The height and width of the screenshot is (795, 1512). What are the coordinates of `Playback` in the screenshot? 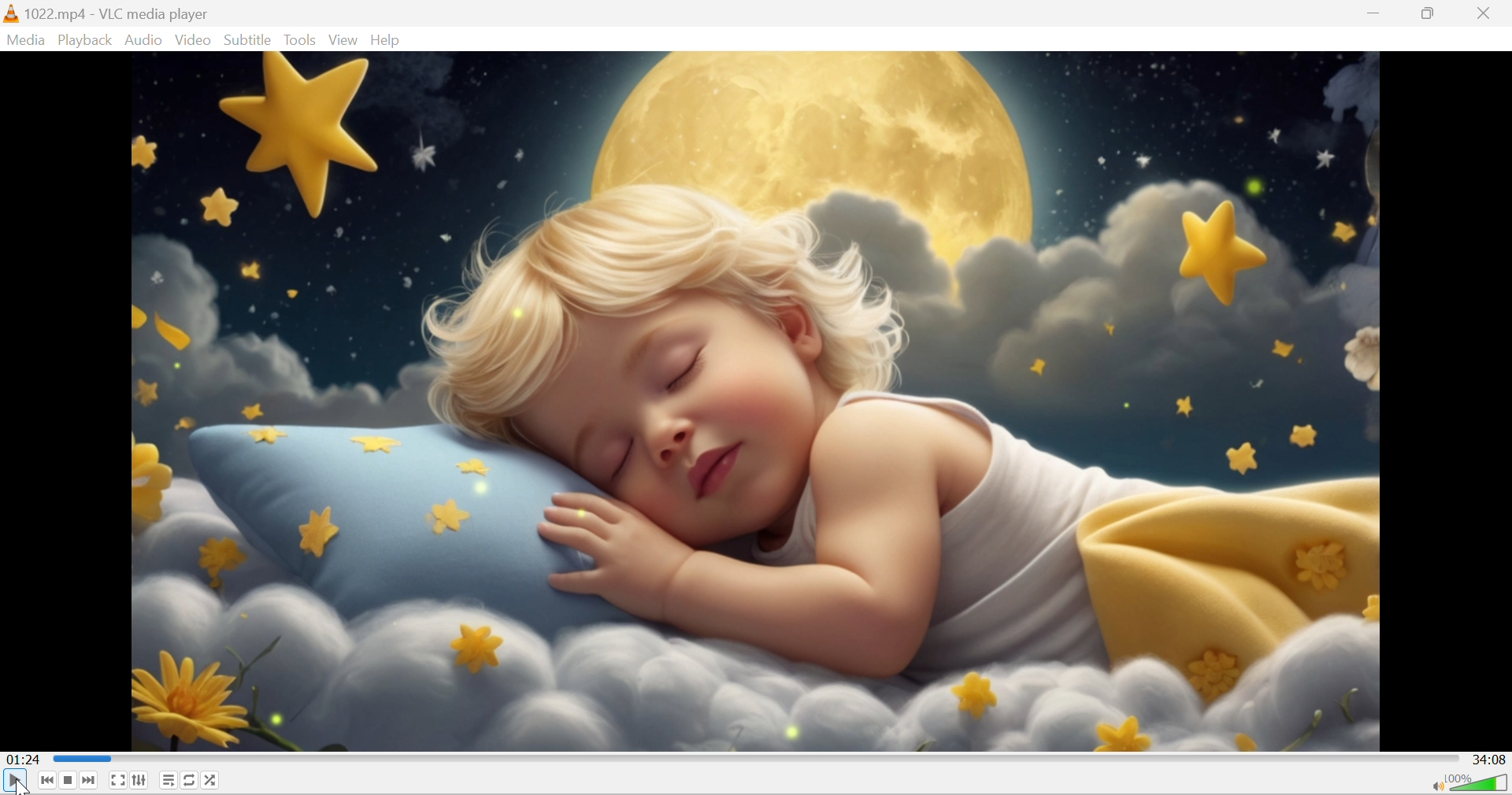 It's located at (87, 40).